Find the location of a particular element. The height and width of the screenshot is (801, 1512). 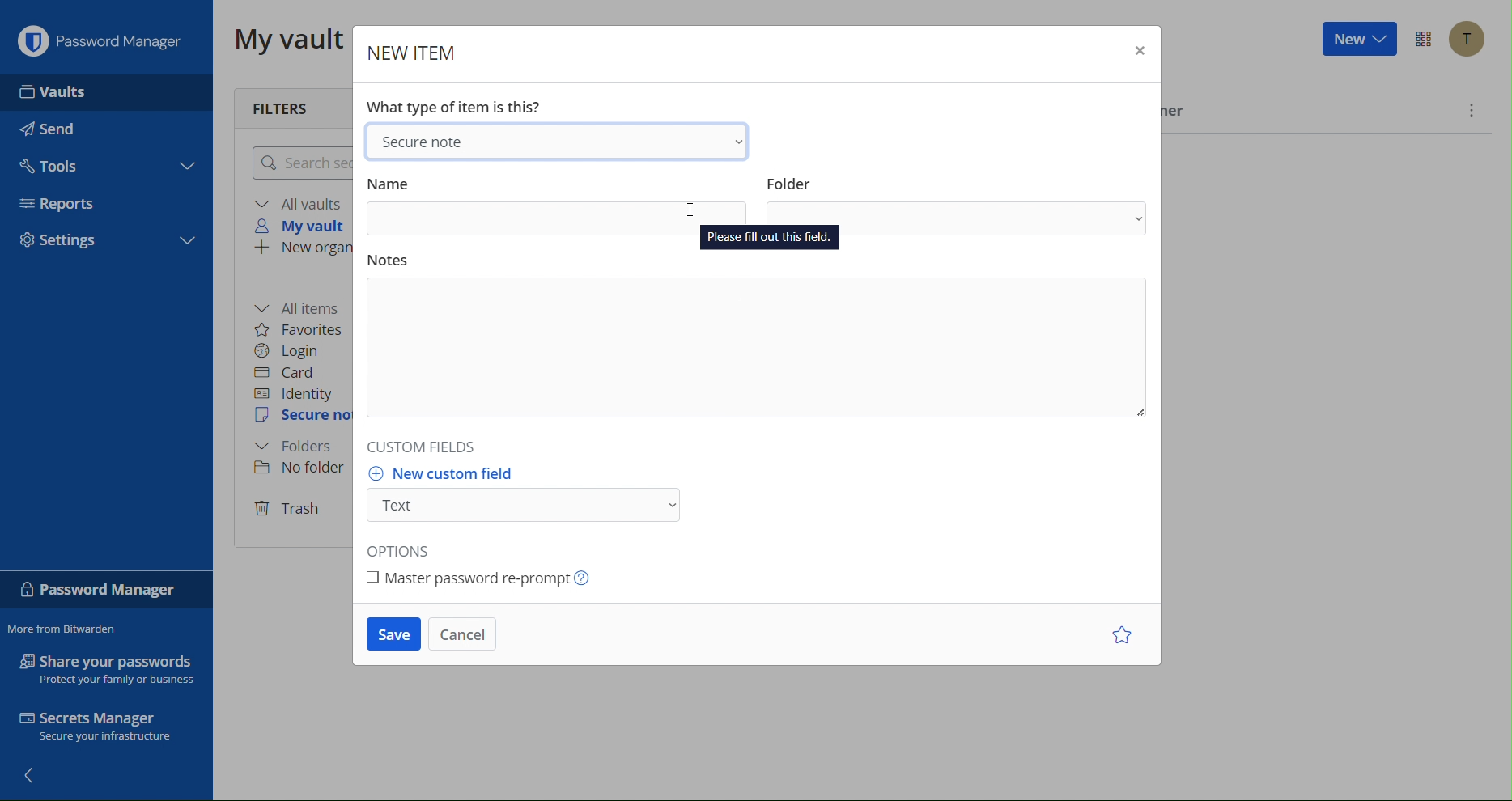

Options is located at coordinates (408, 549).